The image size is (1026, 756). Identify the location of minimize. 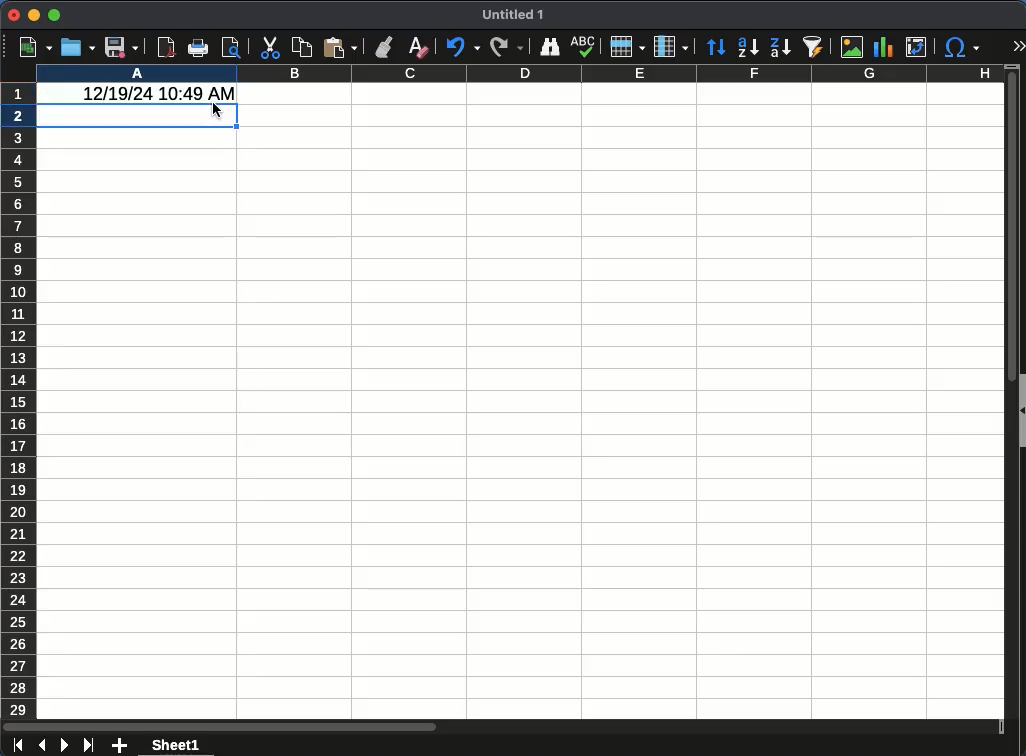
(34, 15).